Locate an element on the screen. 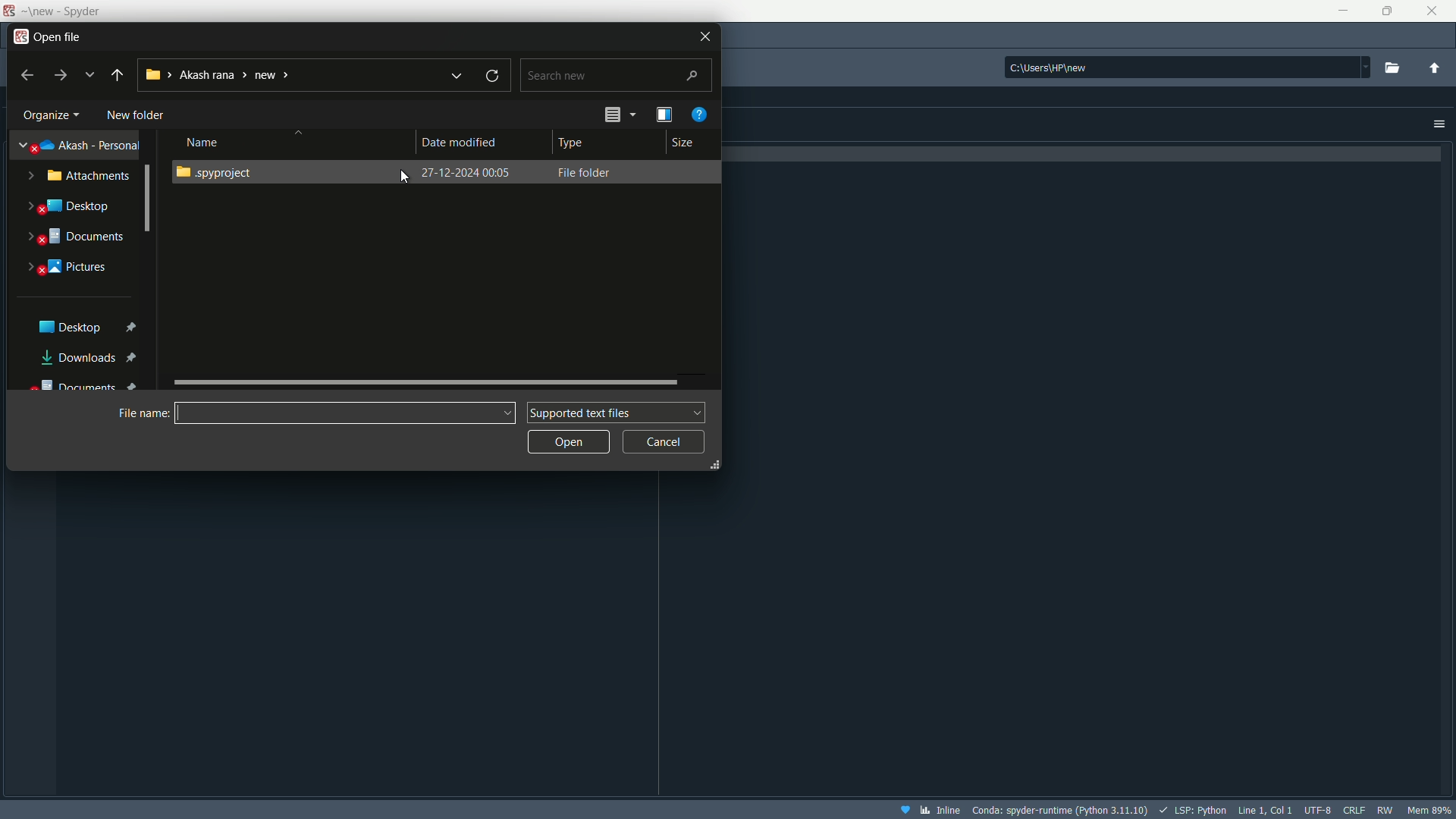 The image size is (1456, 819). maximize is located at coordinates (1389, 12).